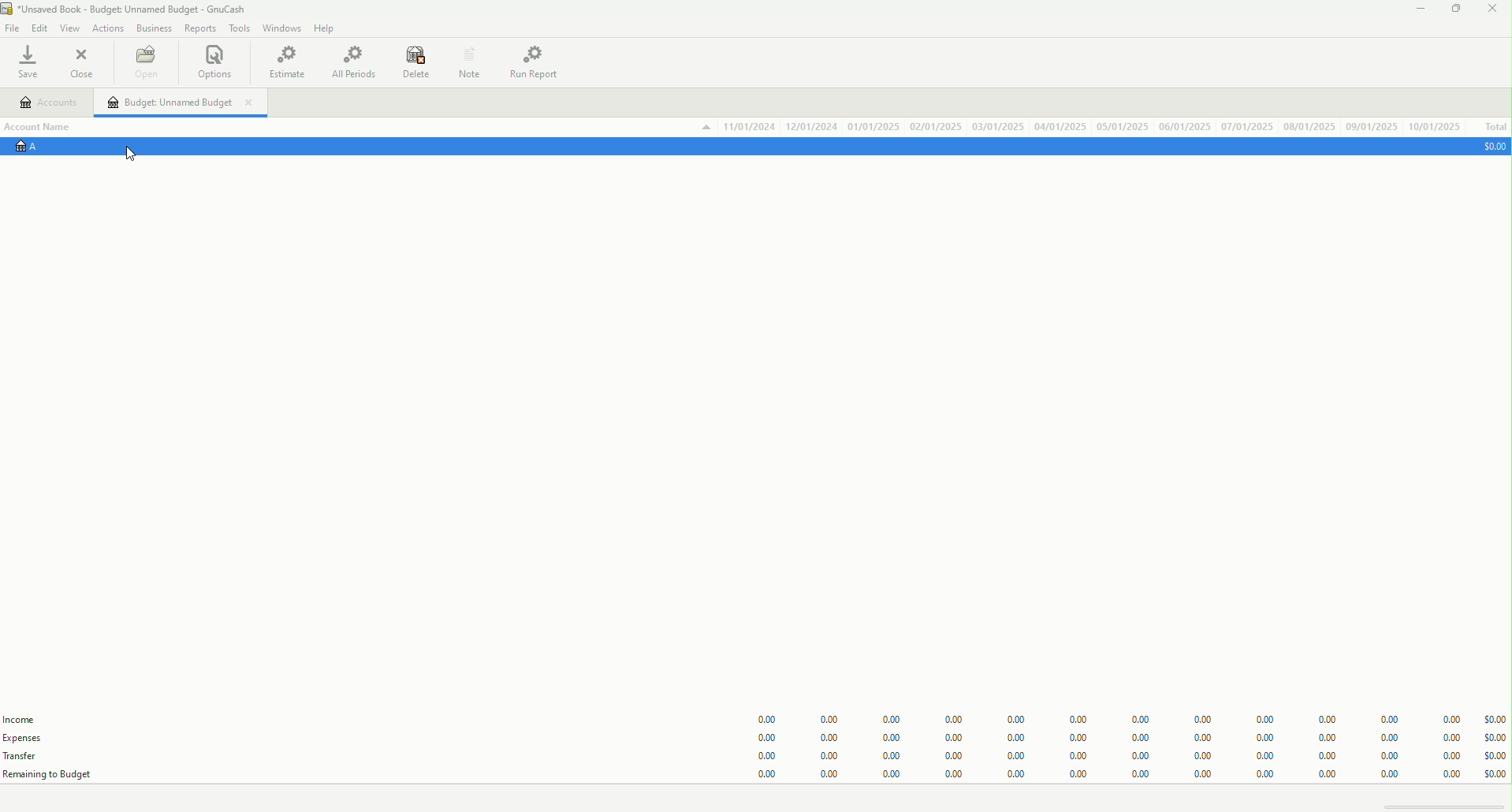 Image resolution: width=1512 pixels, height=812 pixels. What do you see at coordinates (327, 28) in the screenshot?
I see `Help` at bounding box center [327, 28].